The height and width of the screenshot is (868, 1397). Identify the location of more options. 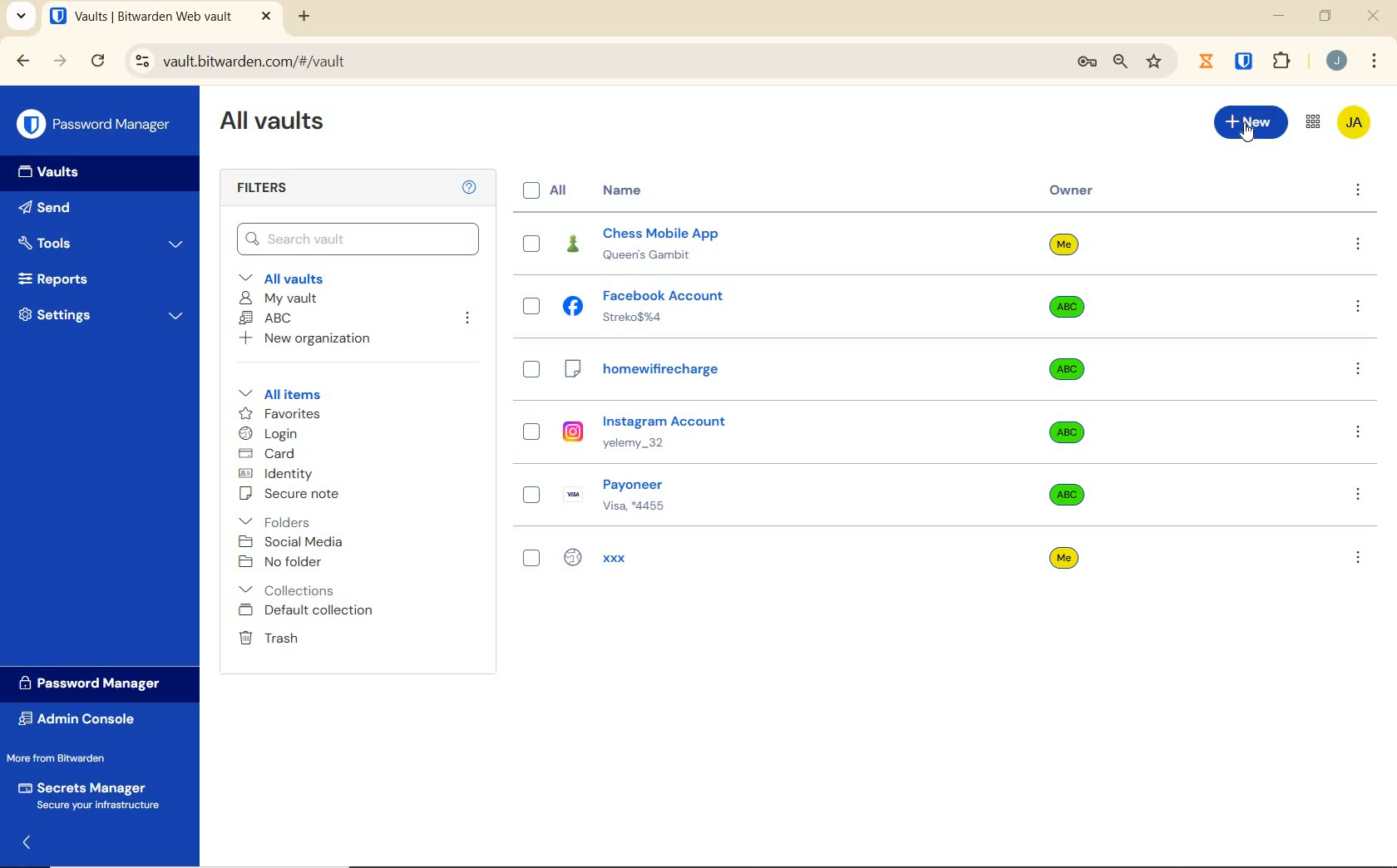
(1360, 308).